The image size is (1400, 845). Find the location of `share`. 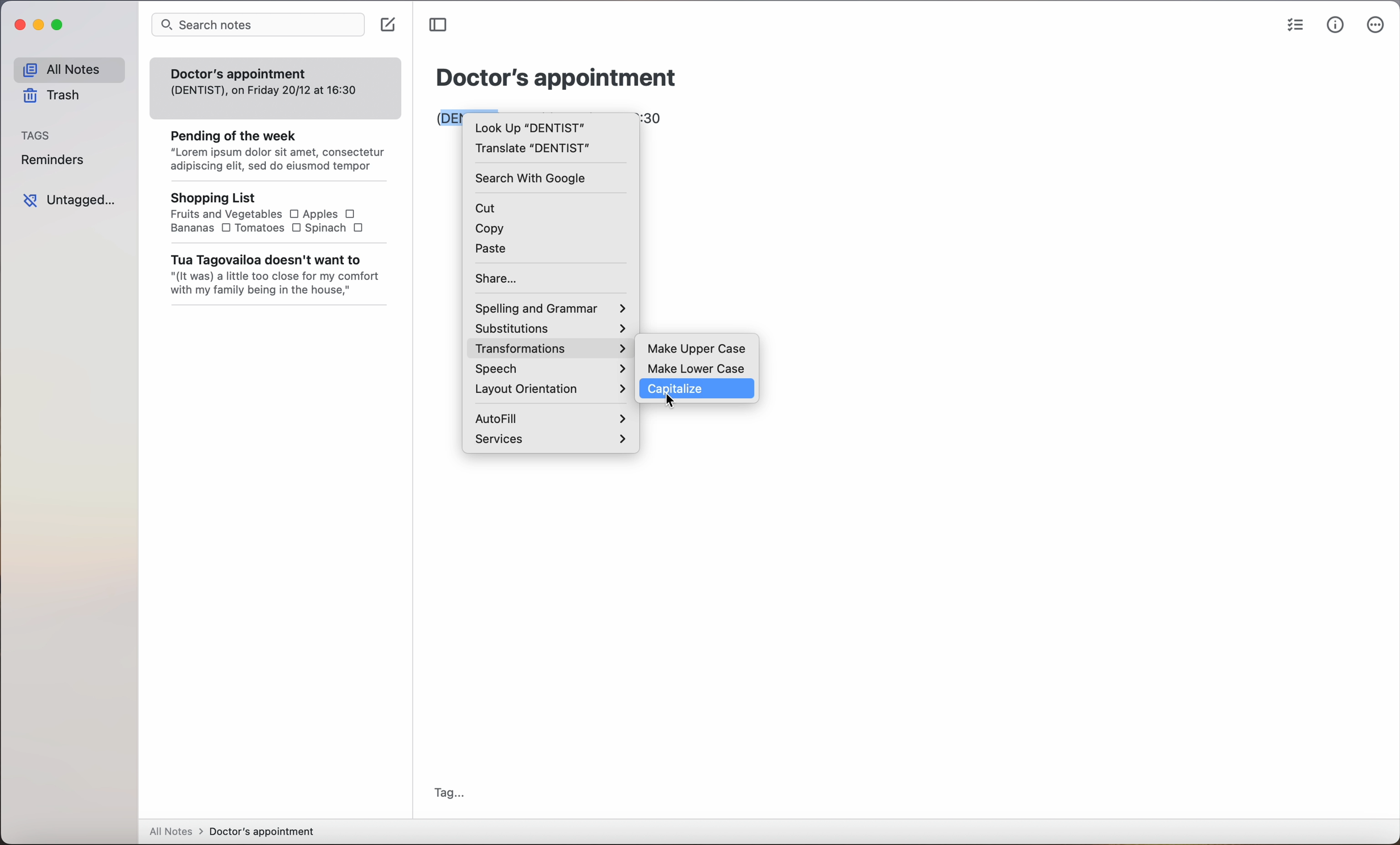

share is located at coordinates (499, 278).